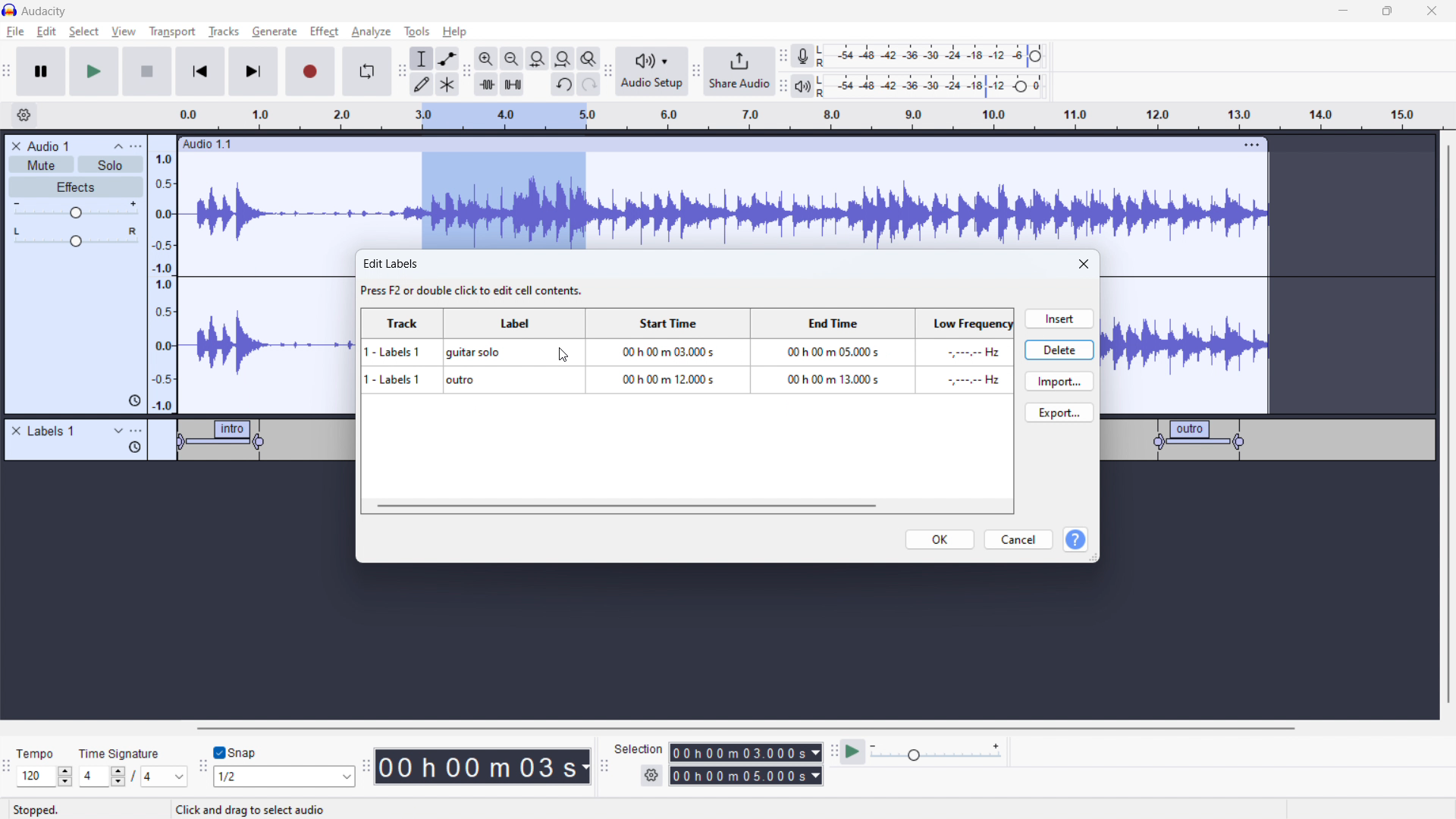 This screenshot has height=819, width=1456. Describe the element at coordinates (652, 72) in the screenshot. I see `audio setup` at that location.